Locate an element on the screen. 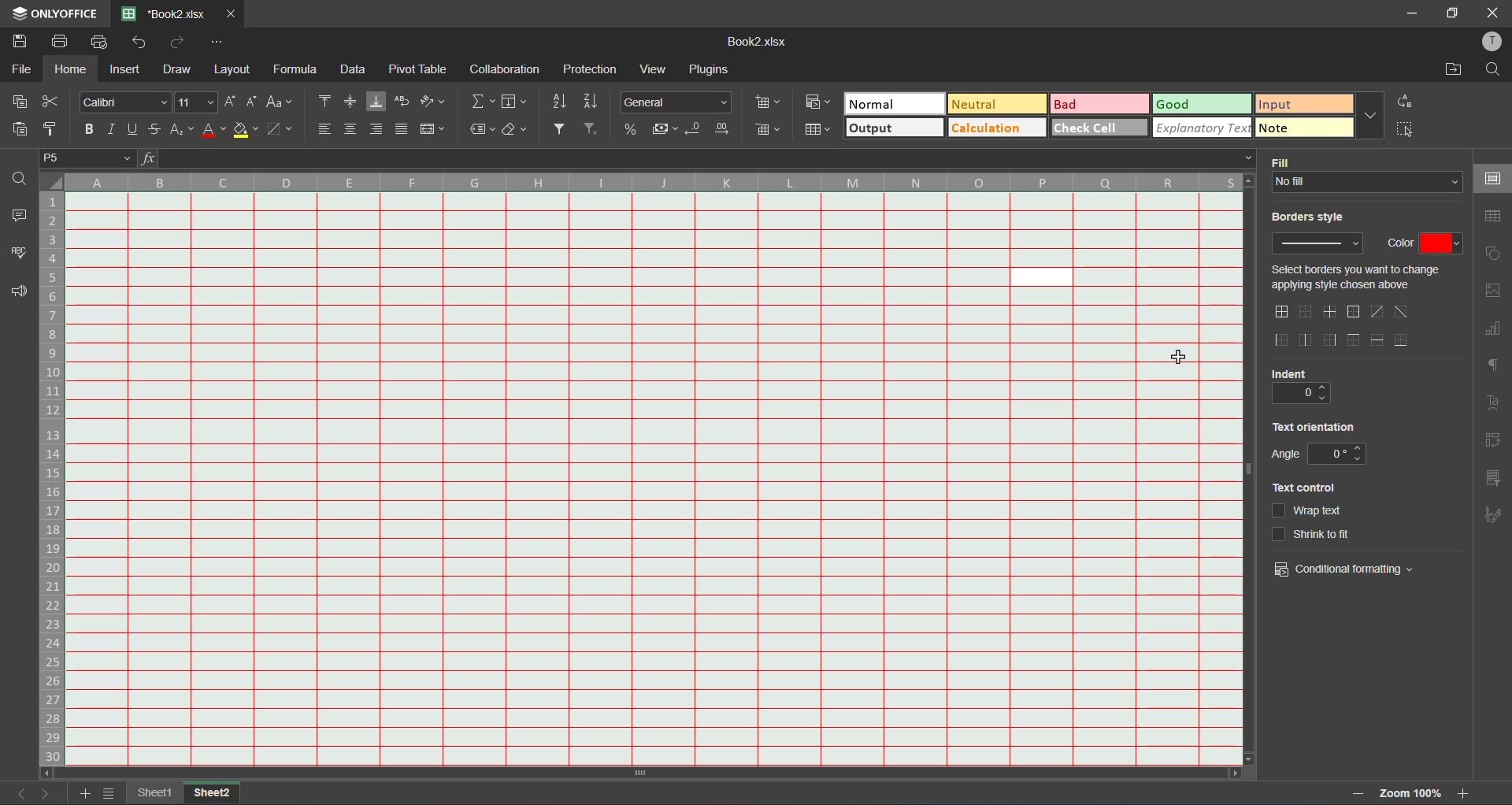 This screenshot has height=805, width=1512. pivot table is located at coordinates (1494, 442).